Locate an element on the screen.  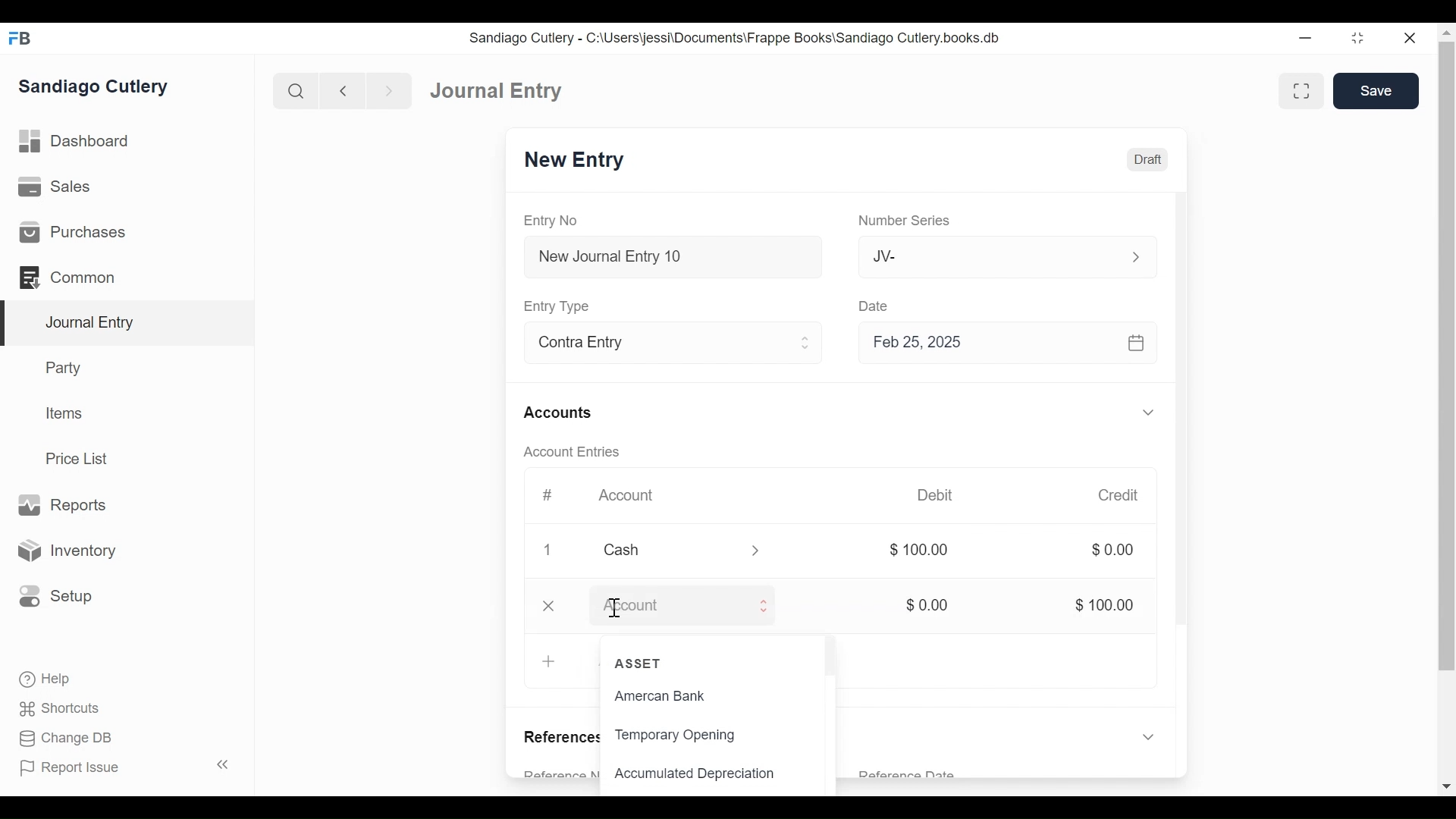
Feb 25, 2025 is located at coordinates (1001, 344).